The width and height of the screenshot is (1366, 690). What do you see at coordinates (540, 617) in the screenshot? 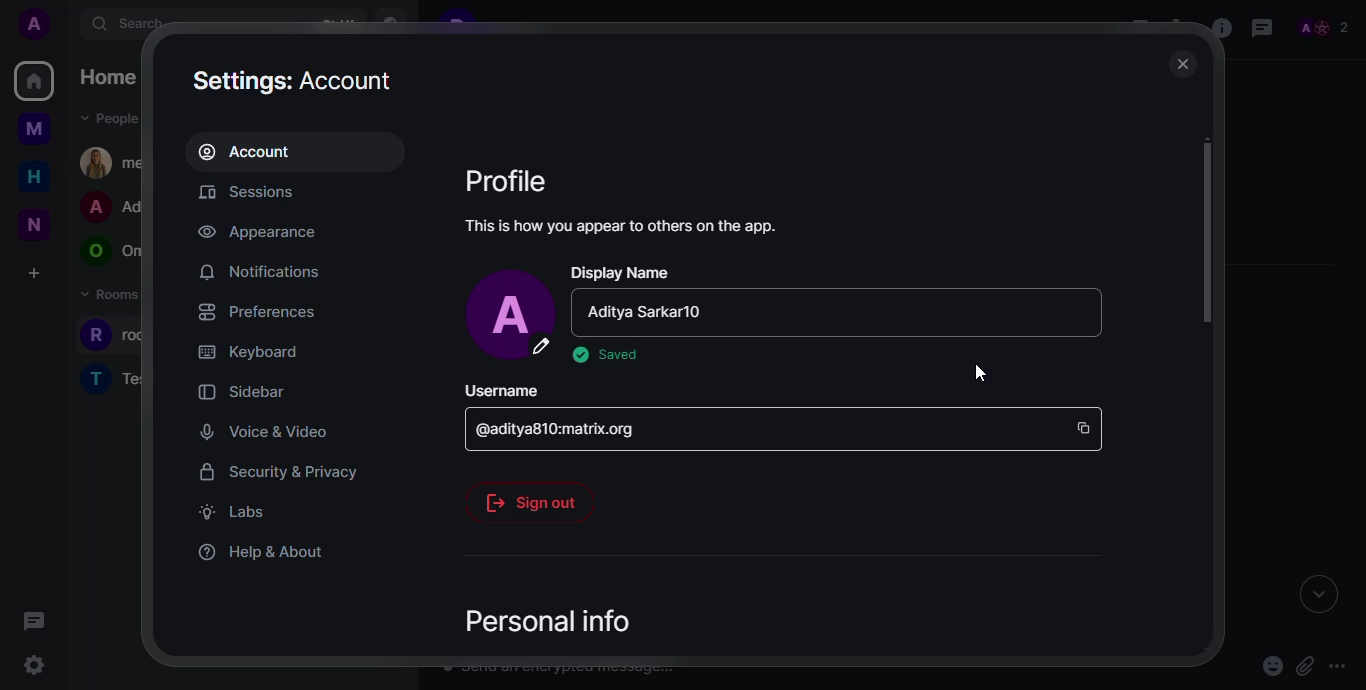
I see `personal info` at bounding box center [540, 617].